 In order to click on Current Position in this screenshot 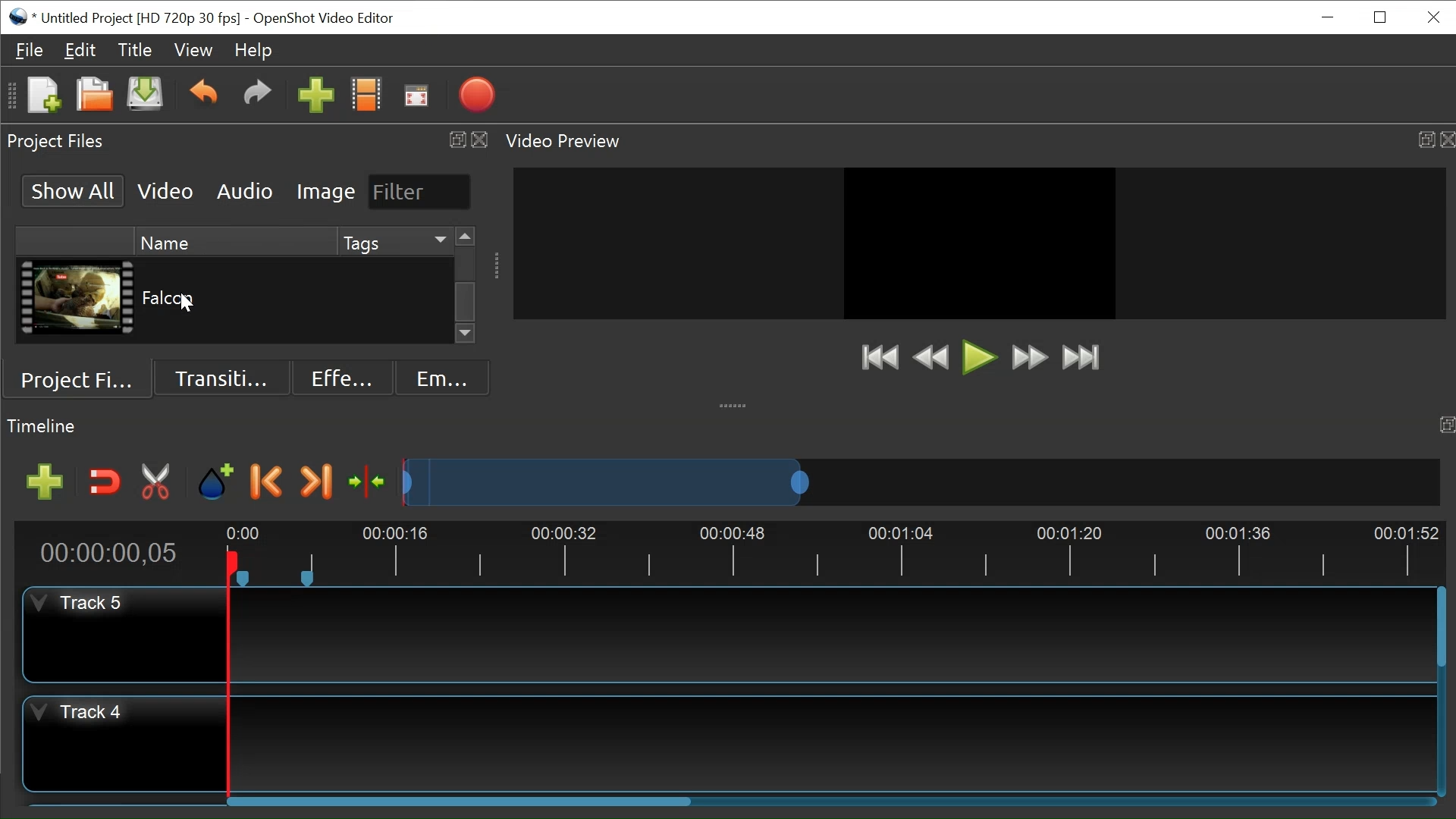, I will do `click(108, 555)`.